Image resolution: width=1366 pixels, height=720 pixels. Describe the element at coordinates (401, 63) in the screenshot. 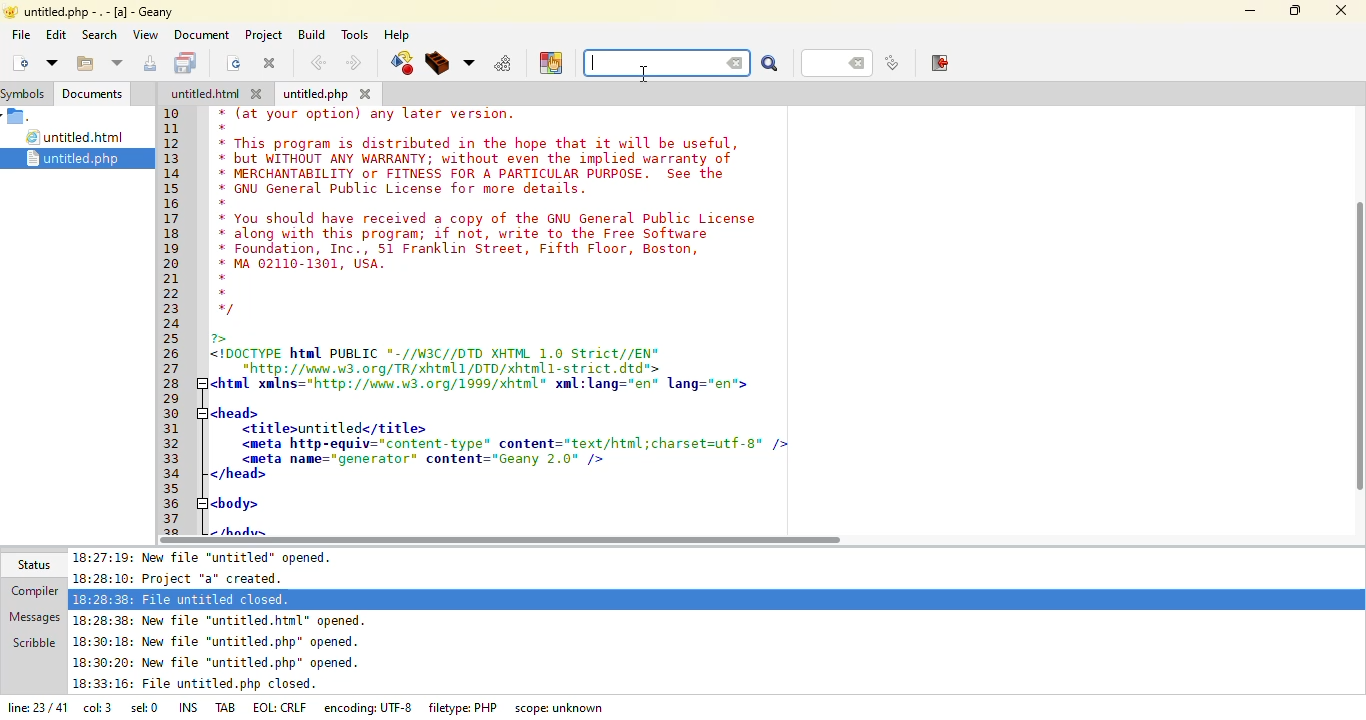

I see `compile` at that location.